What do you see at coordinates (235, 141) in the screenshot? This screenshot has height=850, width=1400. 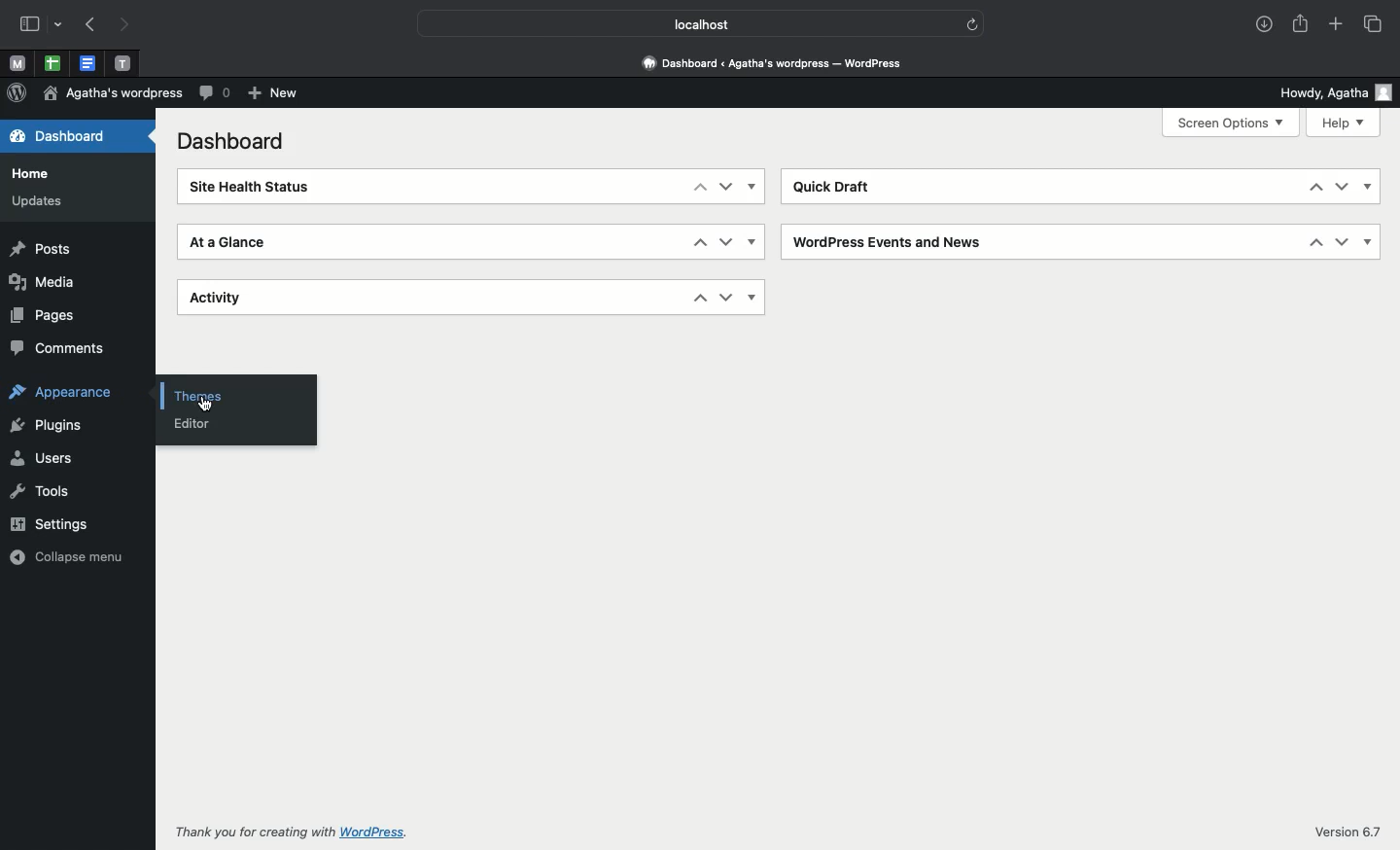 I see `Dashboard` at bounding box center [235, 141].